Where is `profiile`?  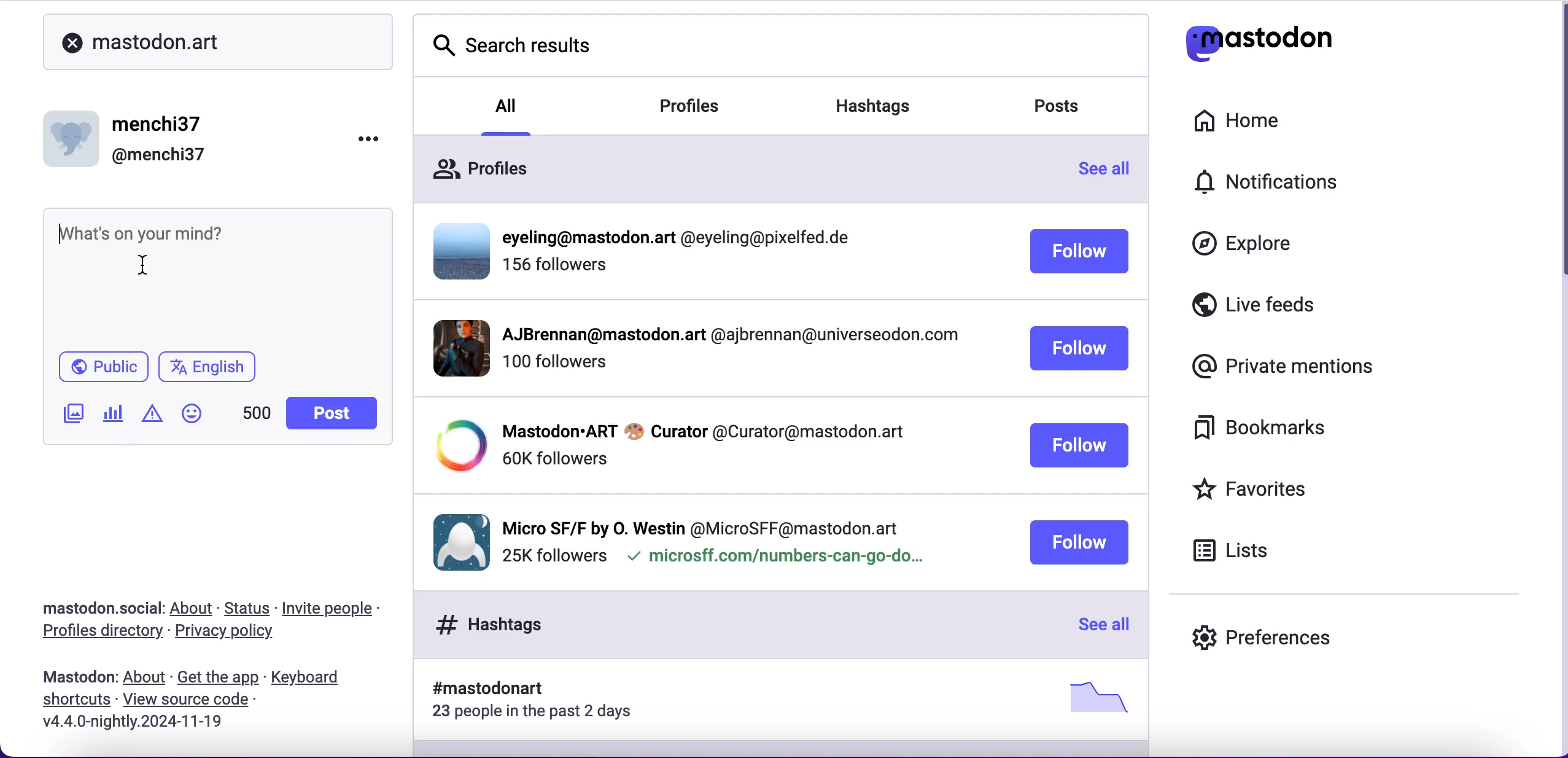
profiile is located at coordinates (683, 238).